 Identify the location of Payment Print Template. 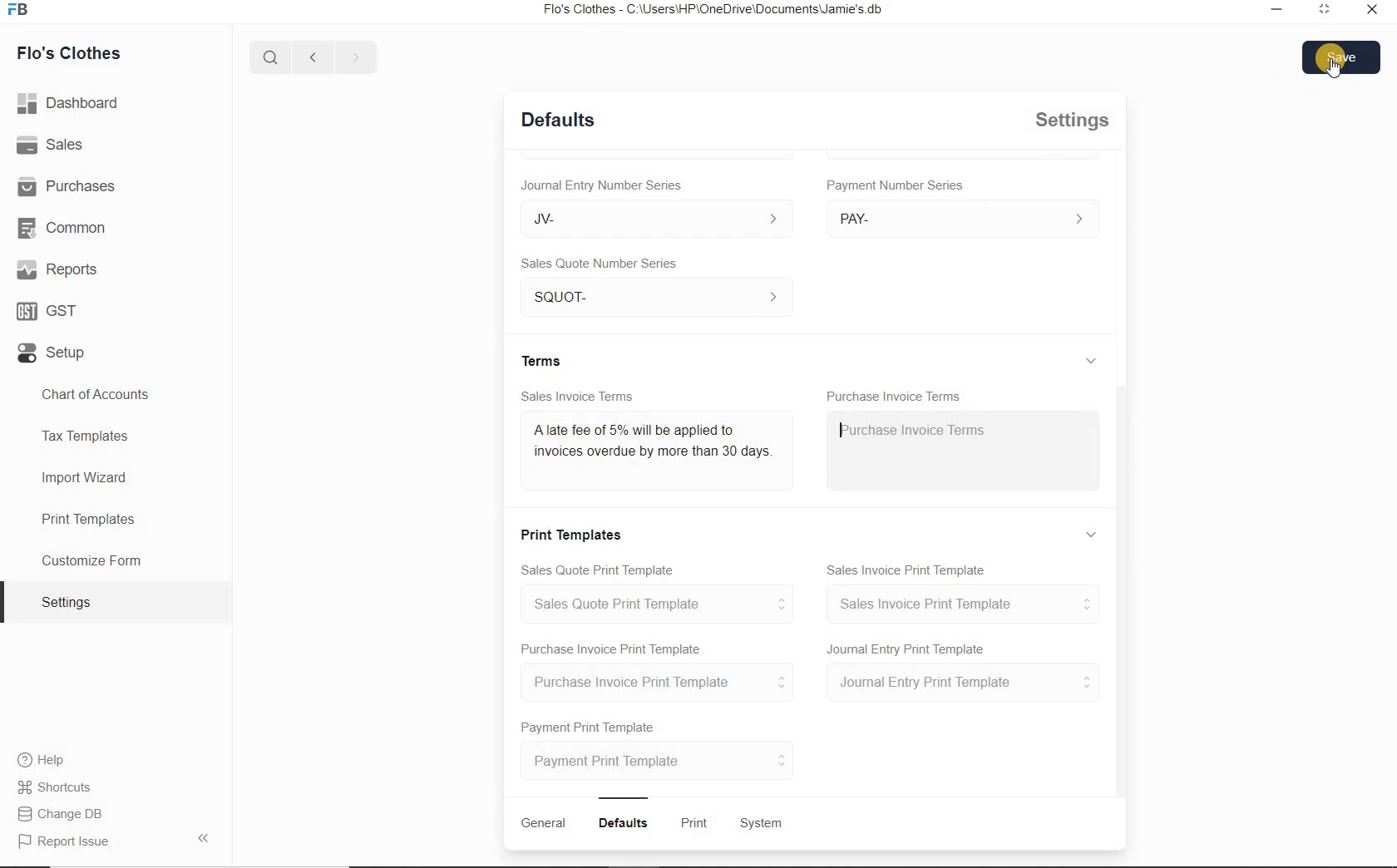
(590, 724).